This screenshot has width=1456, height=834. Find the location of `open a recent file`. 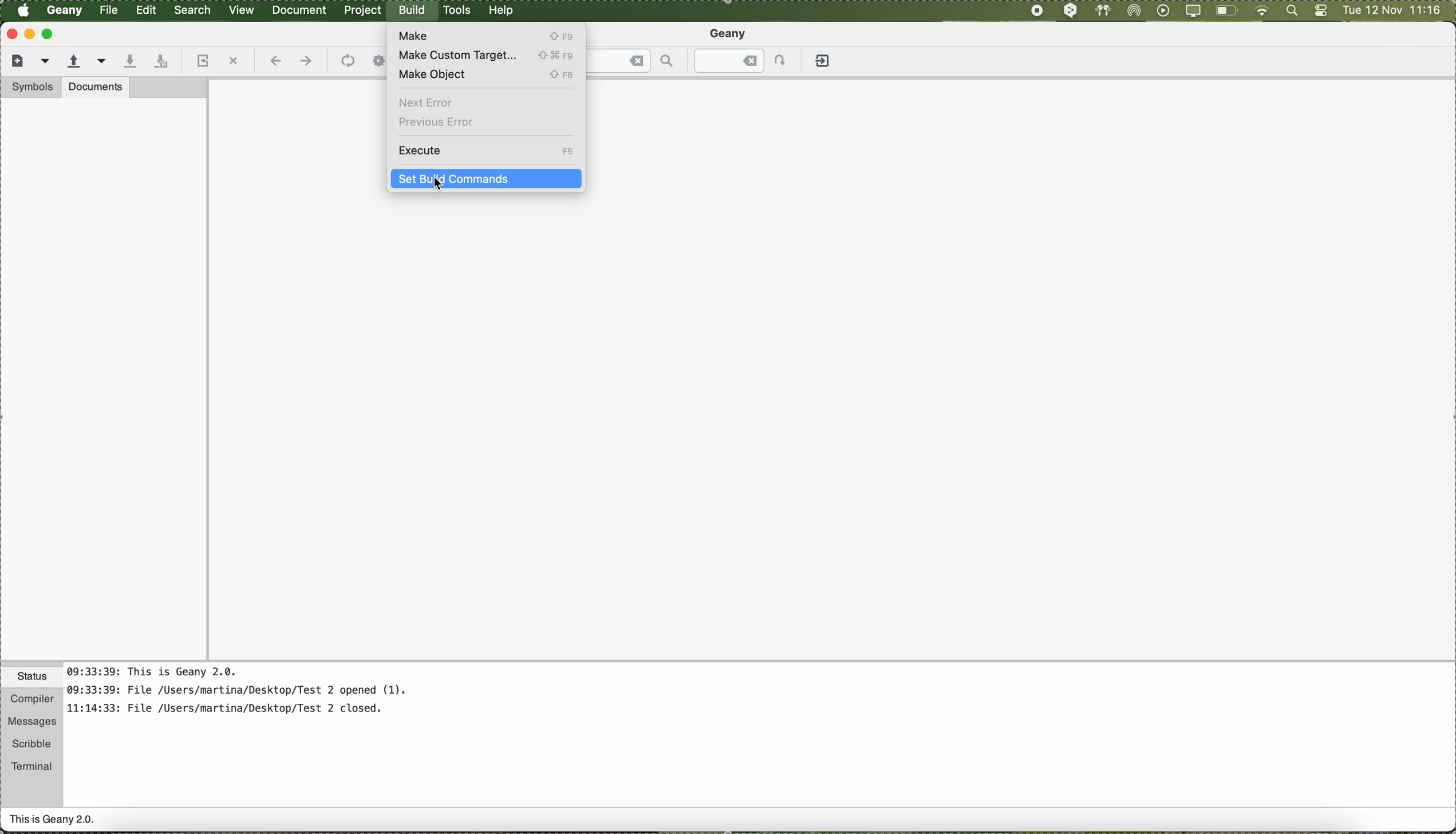

open a recent file is located at coordinates (102, 61).